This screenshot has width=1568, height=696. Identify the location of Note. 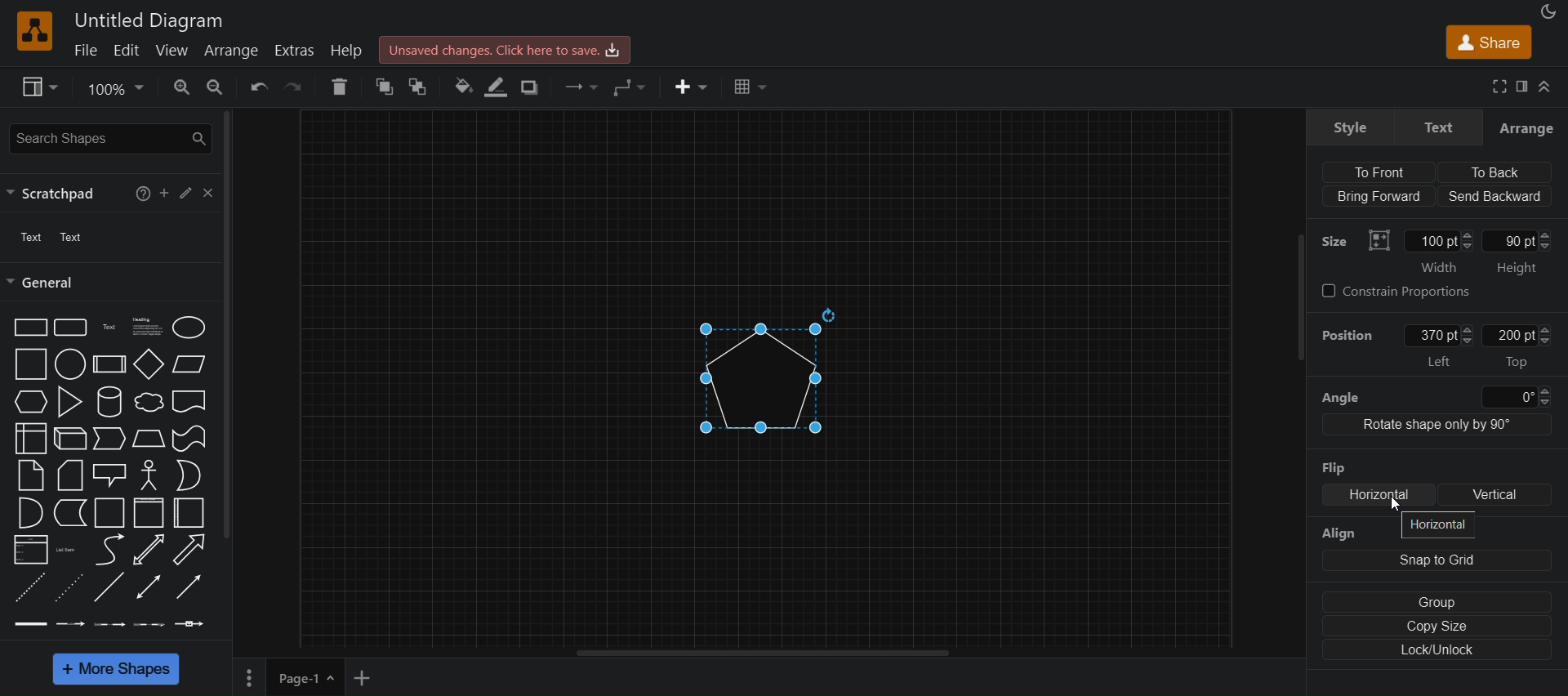
(31, 476).